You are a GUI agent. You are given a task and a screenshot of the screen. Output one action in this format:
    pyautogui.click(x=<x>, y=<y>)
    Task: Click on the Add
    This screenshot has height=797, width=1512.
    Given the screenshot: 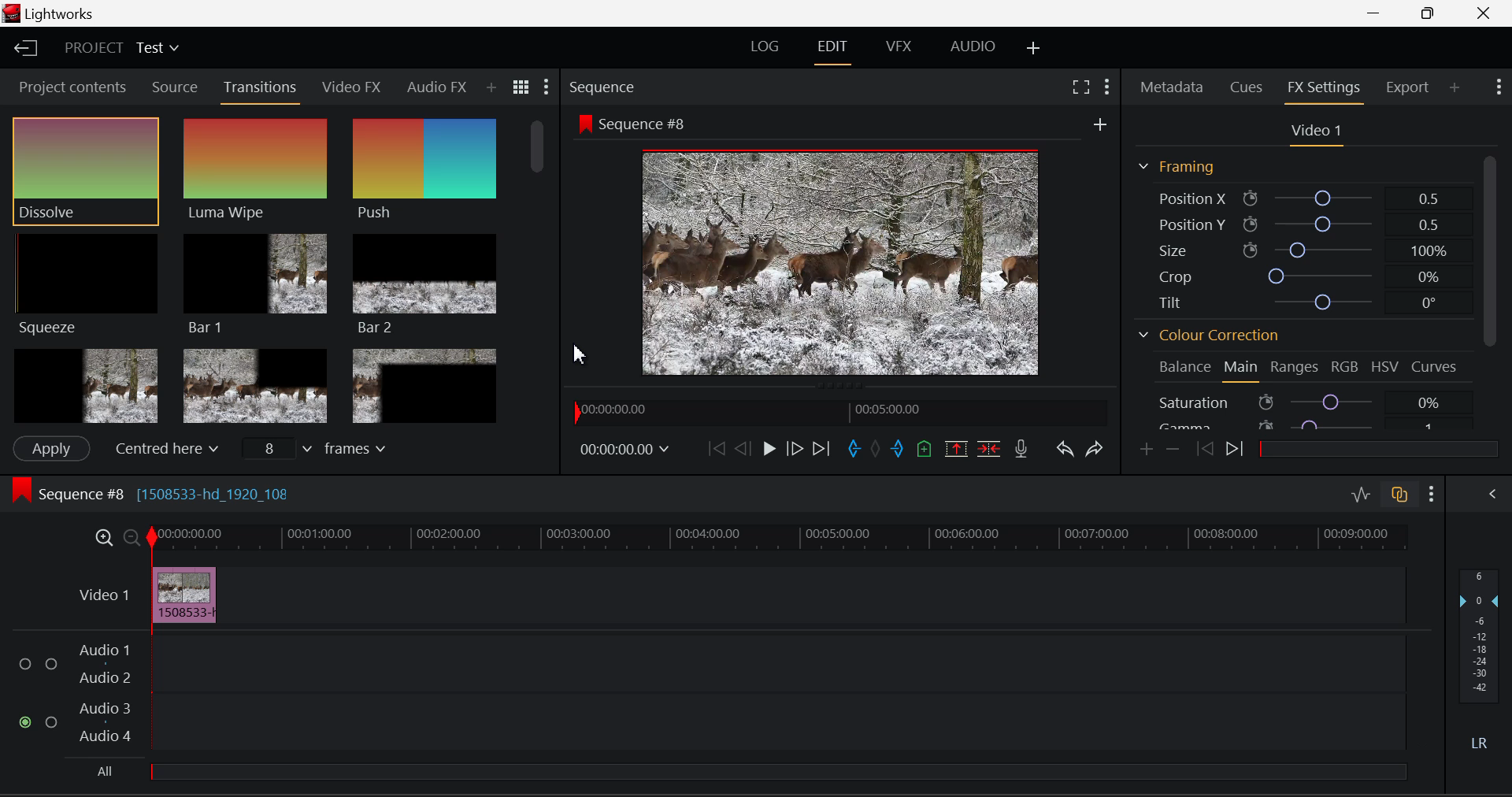 What is the action you would take?
    pyautogui.click(x=1105, y=125)
    